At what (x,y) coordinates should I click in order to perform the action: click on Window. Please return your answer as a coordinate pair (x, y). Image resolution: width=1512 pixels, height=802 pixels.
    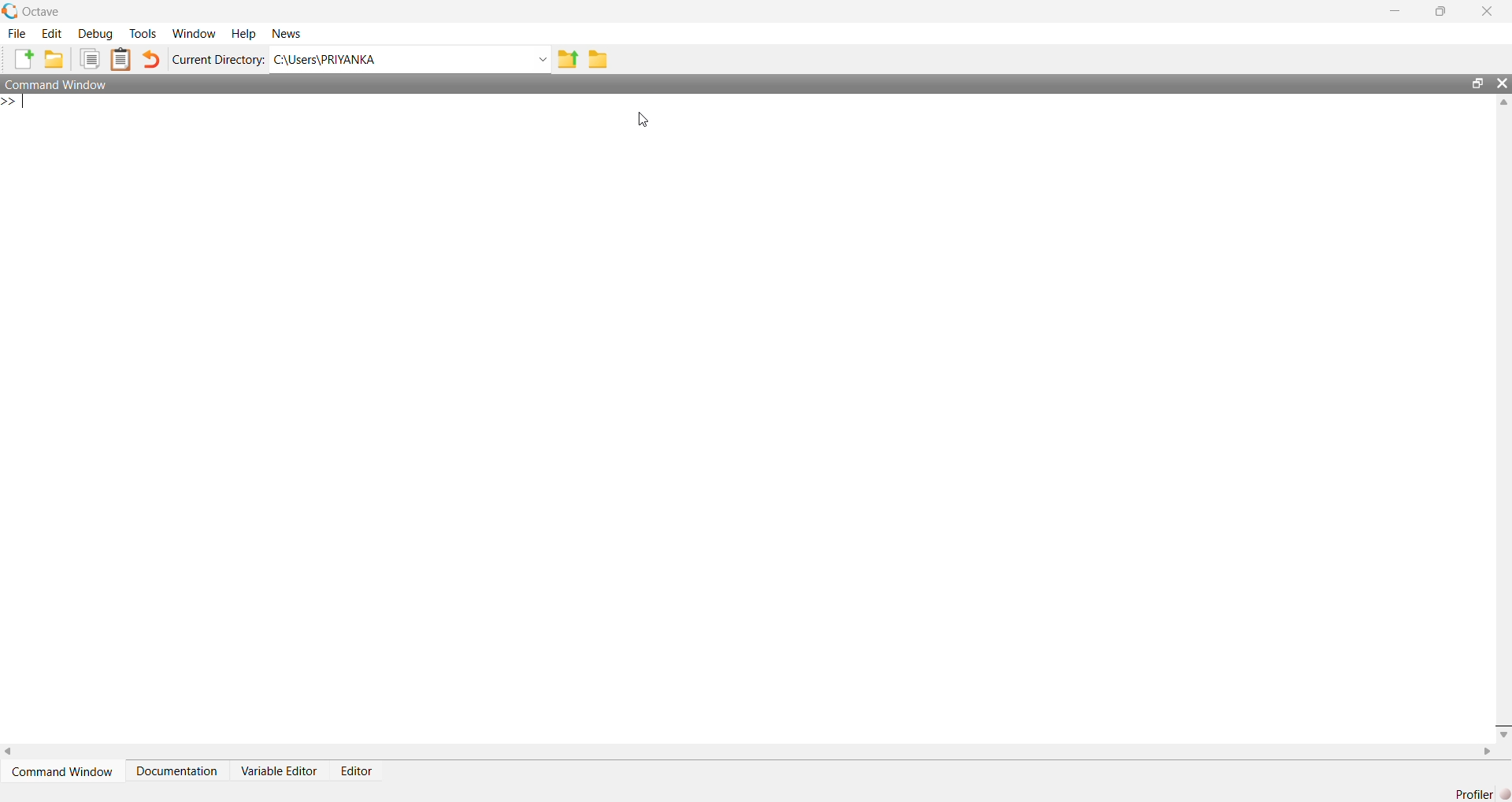
    Looking at the image, I should click on (194, 32).